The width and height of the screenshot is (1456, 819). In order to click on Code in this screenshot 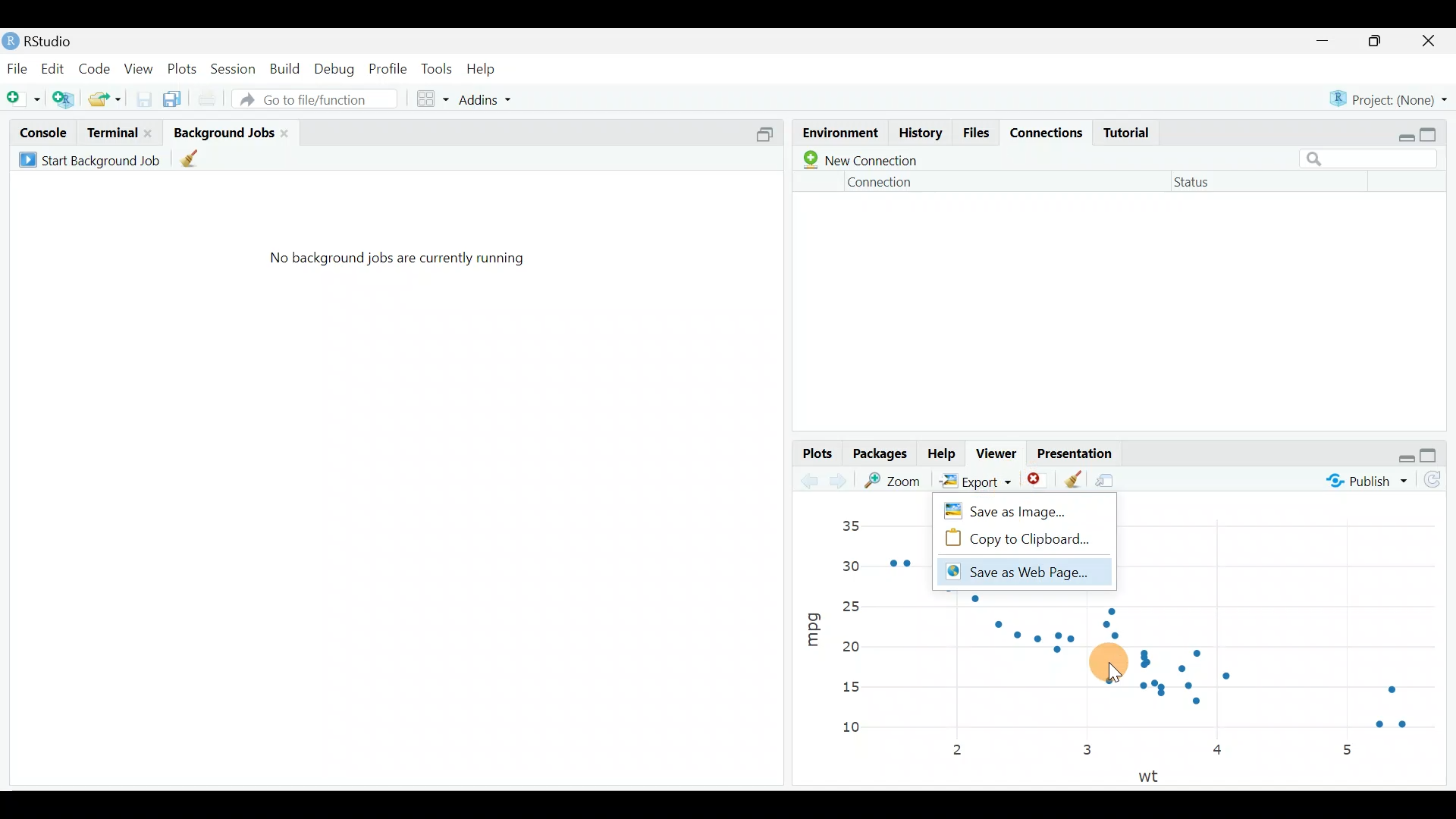, I will do `click(97, 66)`.